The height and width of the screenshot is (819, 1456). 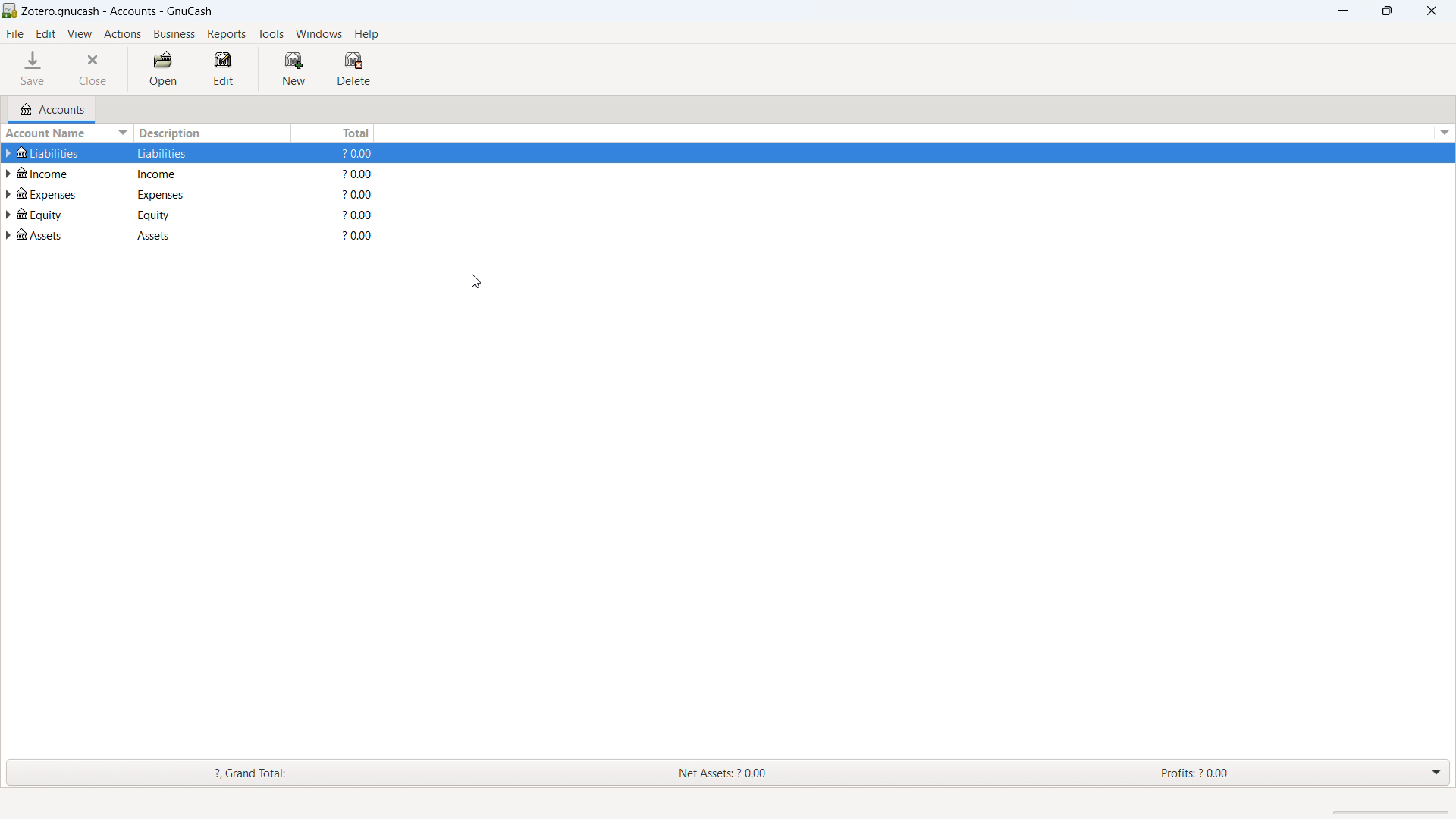 I want to click on open, so click(x=163, y=70).